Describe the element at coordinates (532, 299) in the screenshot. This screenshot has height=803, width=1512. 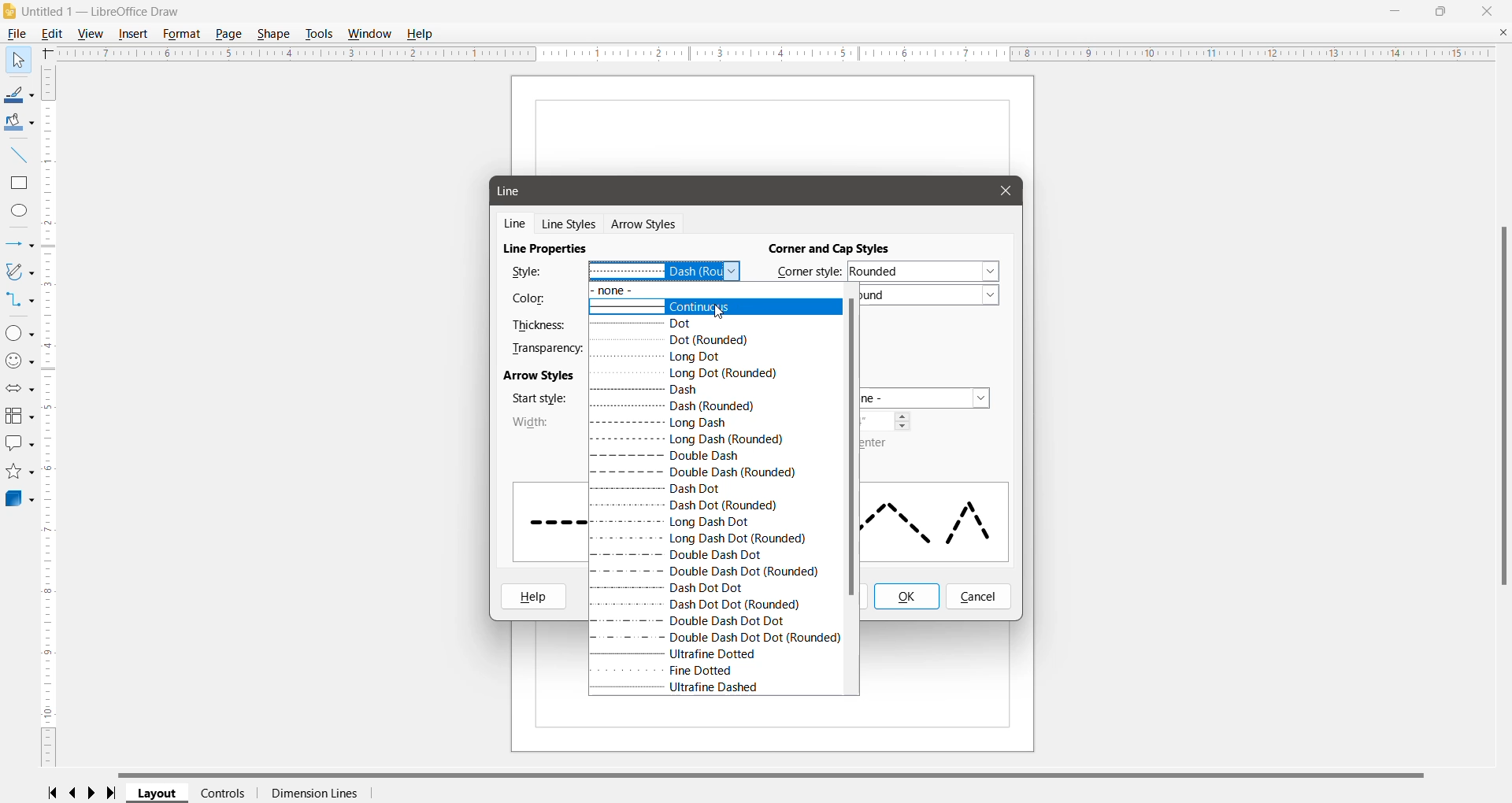
I see `Color` at that location.